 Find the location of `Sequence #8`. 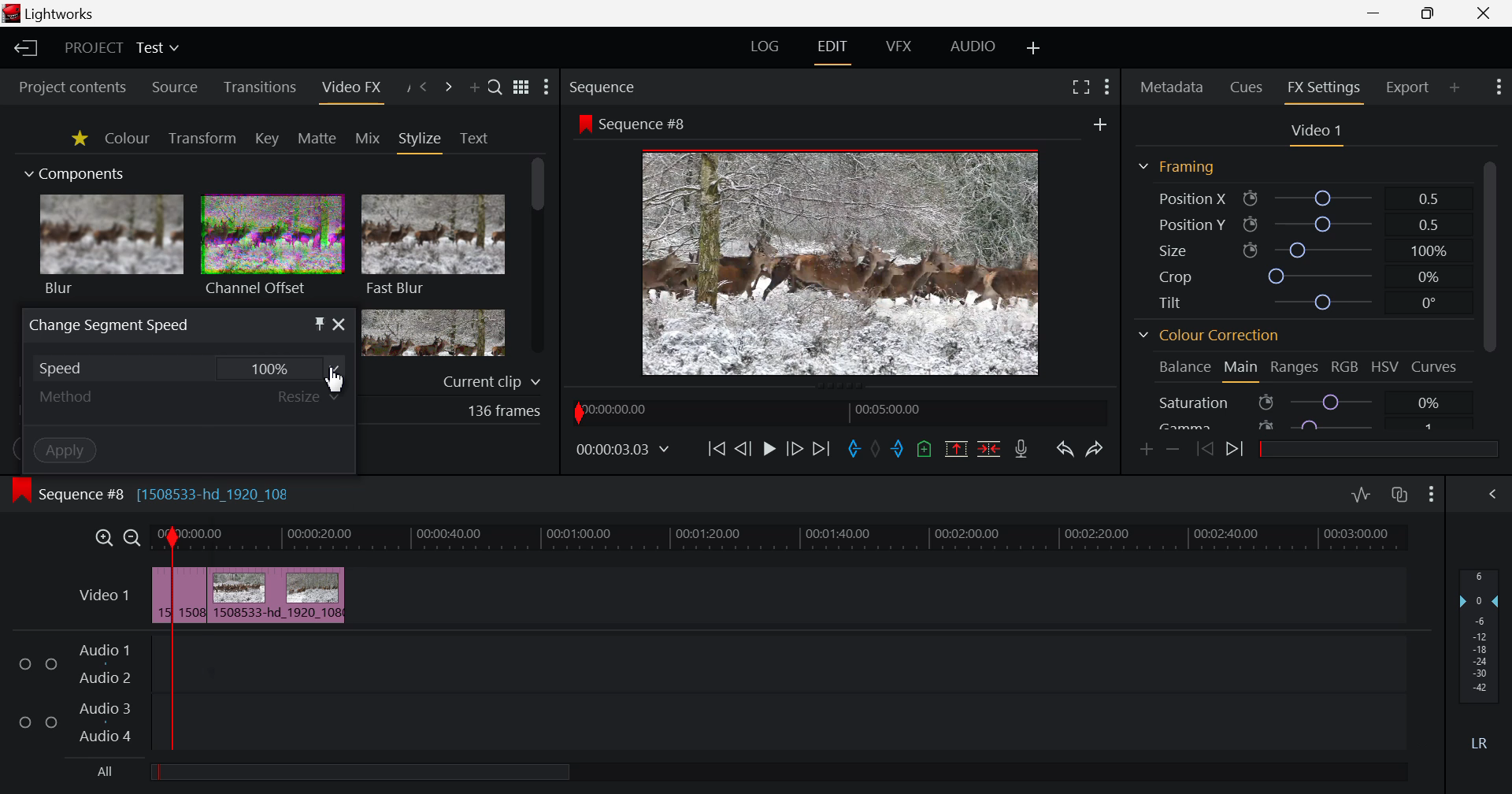

Sequence #8 is located at coordinates (634, 123).